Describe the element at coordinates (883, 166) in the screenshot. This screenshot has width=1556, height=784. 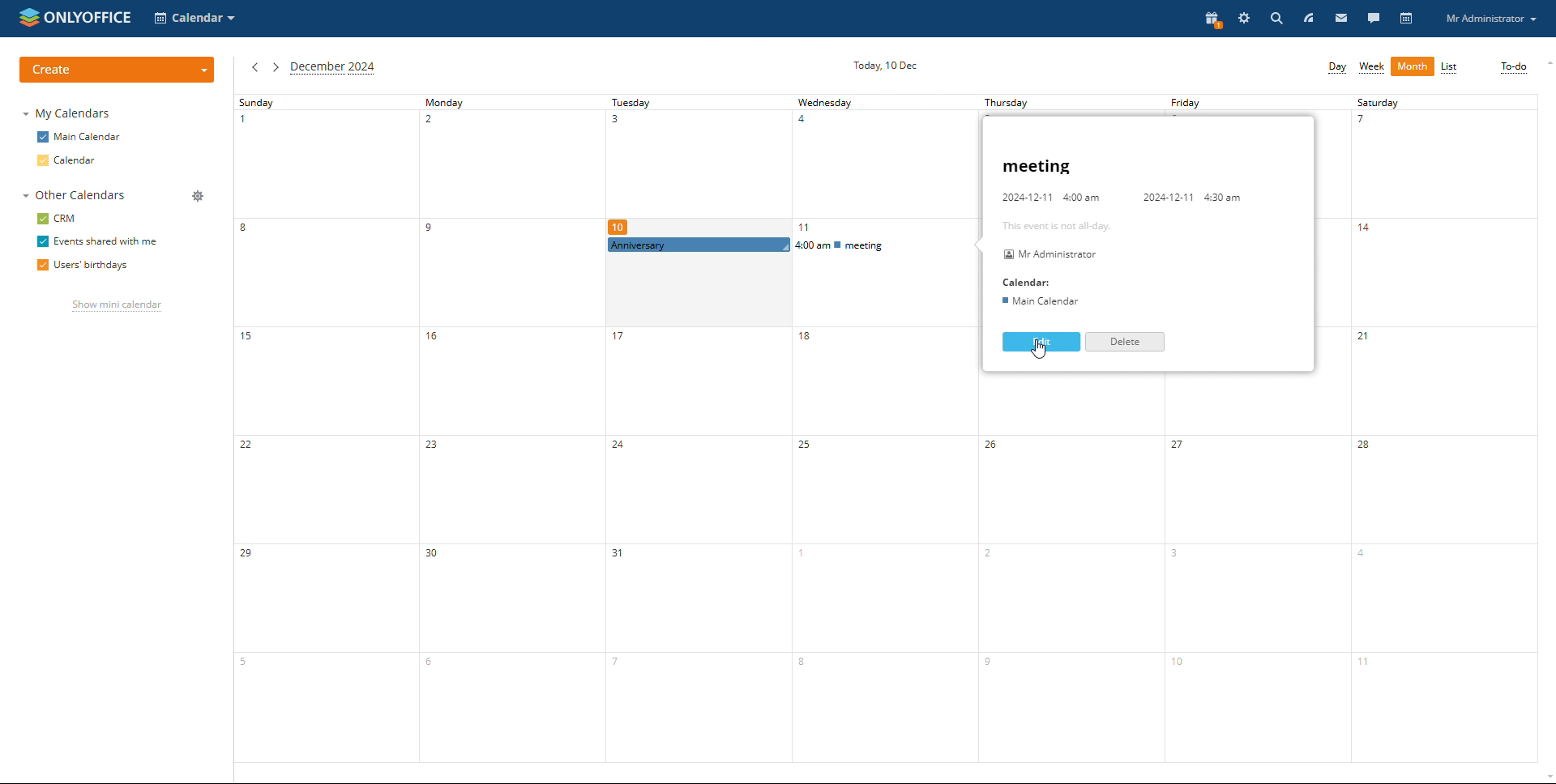
I see `wednesday` at that location.